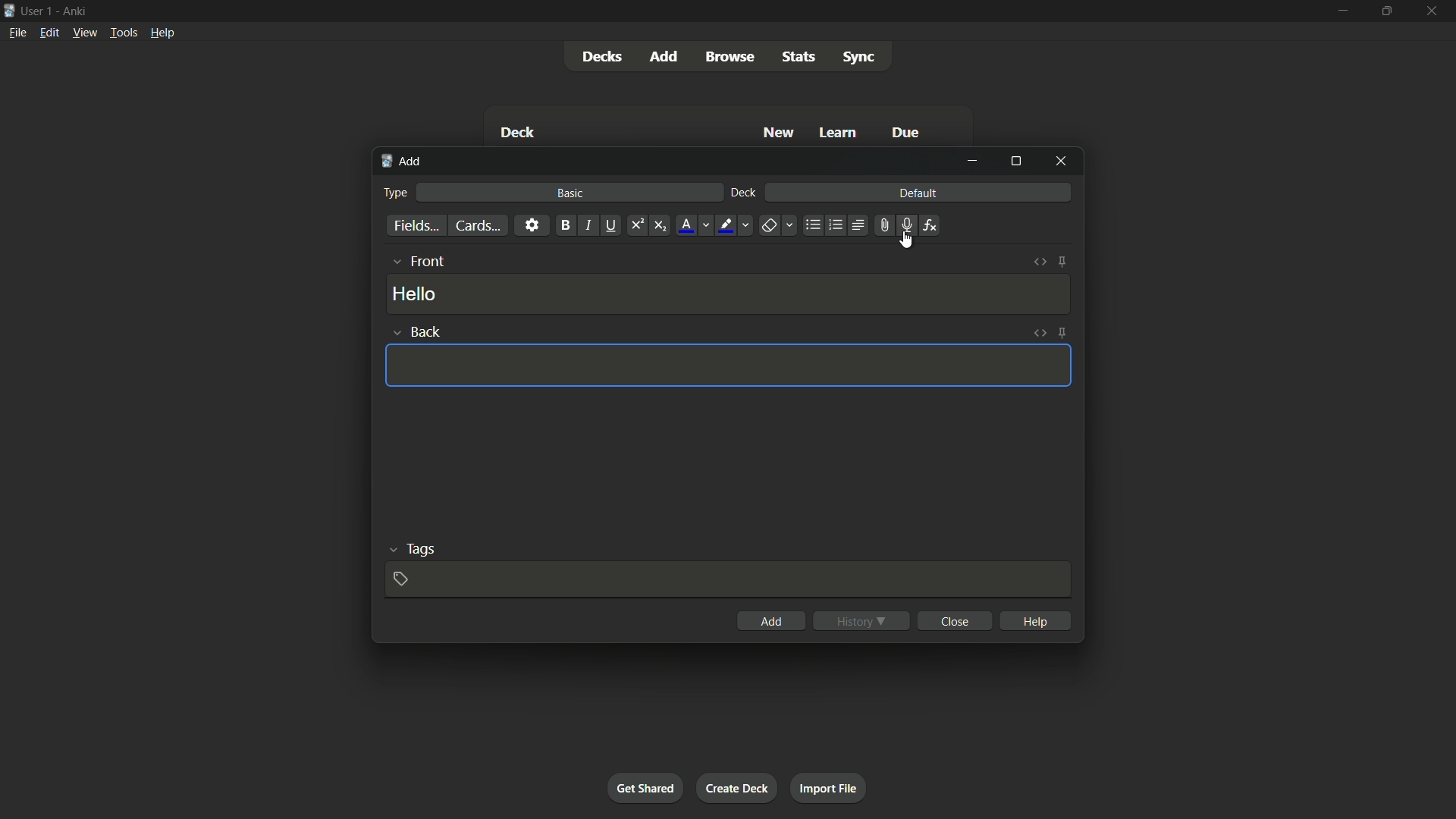  What do you see at coordinates (695, 226) in the screenshot?
I see `font color` at bounding box center [695, 226].